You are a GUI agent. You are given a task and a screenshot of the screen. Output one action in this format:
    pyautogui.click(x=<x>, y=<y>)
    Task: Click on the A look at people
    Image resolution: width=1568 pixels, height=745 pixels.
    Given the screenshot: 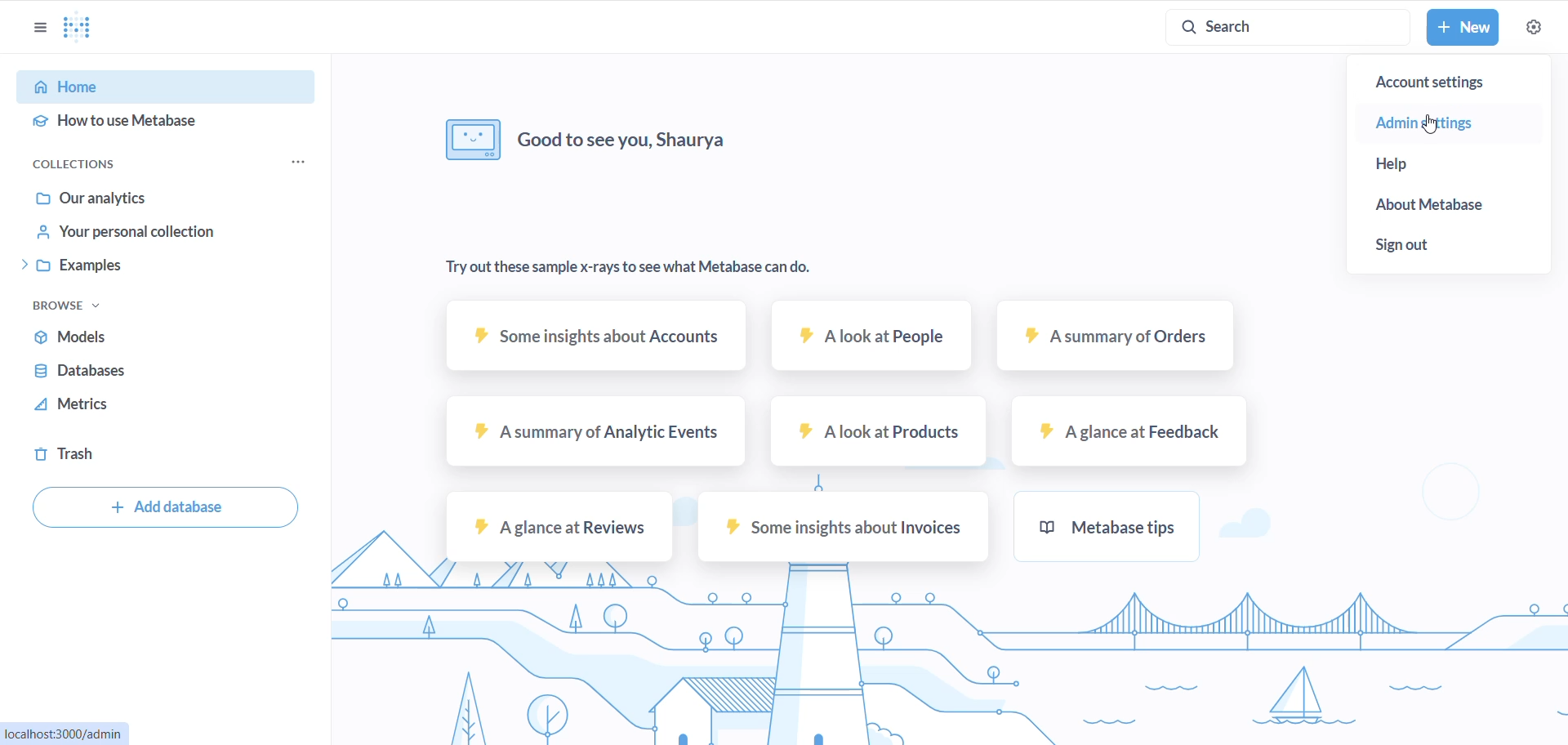 What is the action you would take?
    pyautogui.click(x=875, y=337)
    